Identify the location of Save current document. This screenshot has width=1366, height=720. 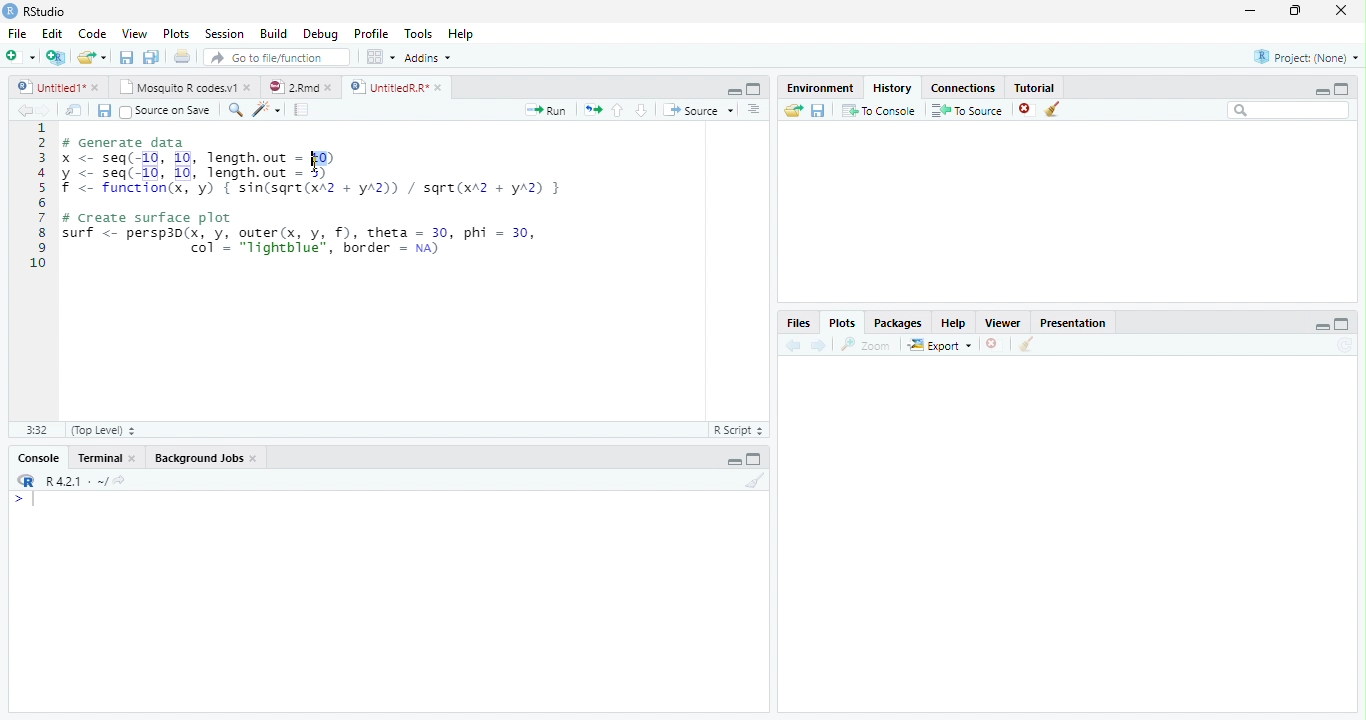
(103, 110).